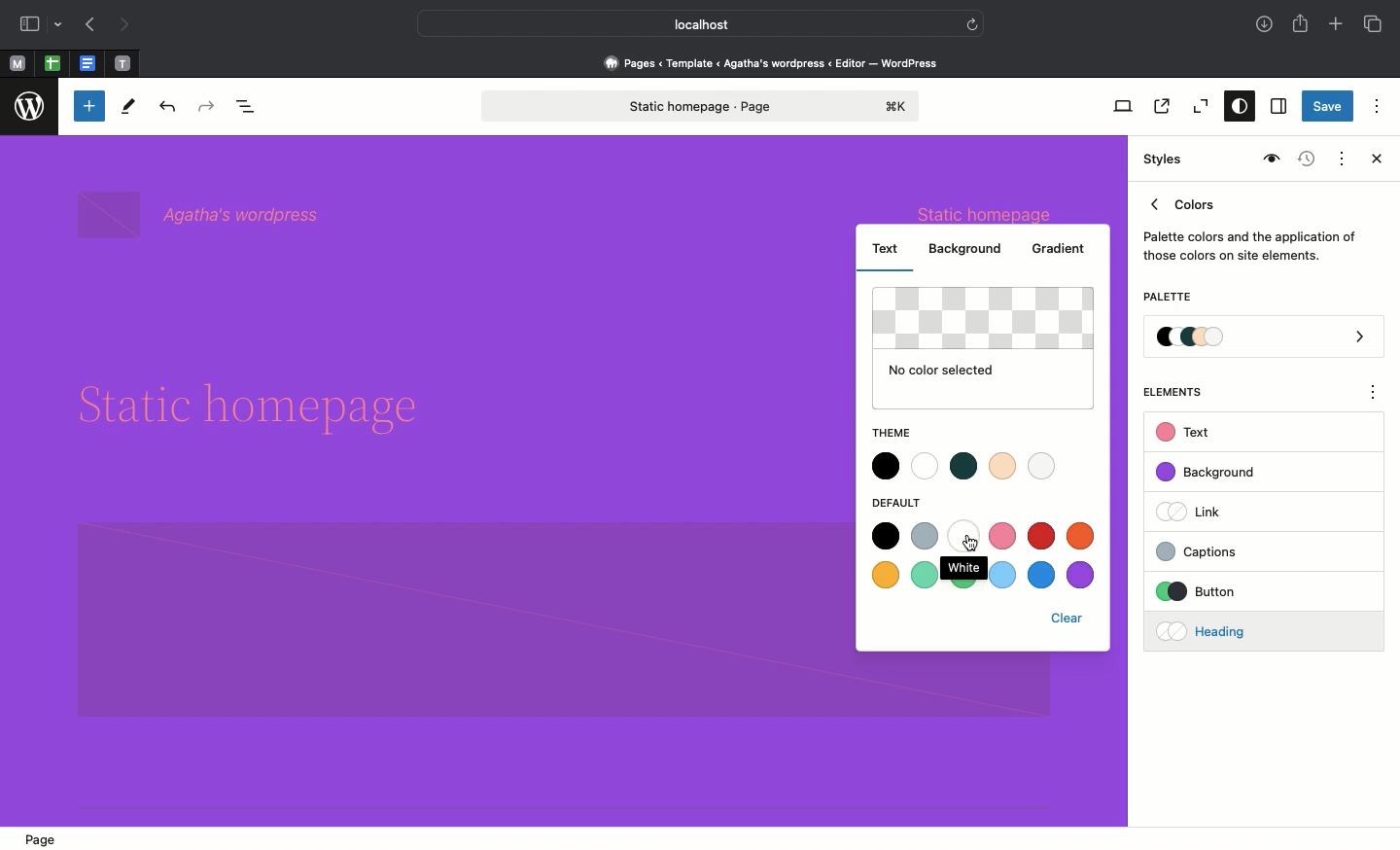 Image resolution: width=1400 pixels, height=850 pixels. I want to click on Pages < Template <Agatha's wordpress < editor - wordpress, so click(778, 62).